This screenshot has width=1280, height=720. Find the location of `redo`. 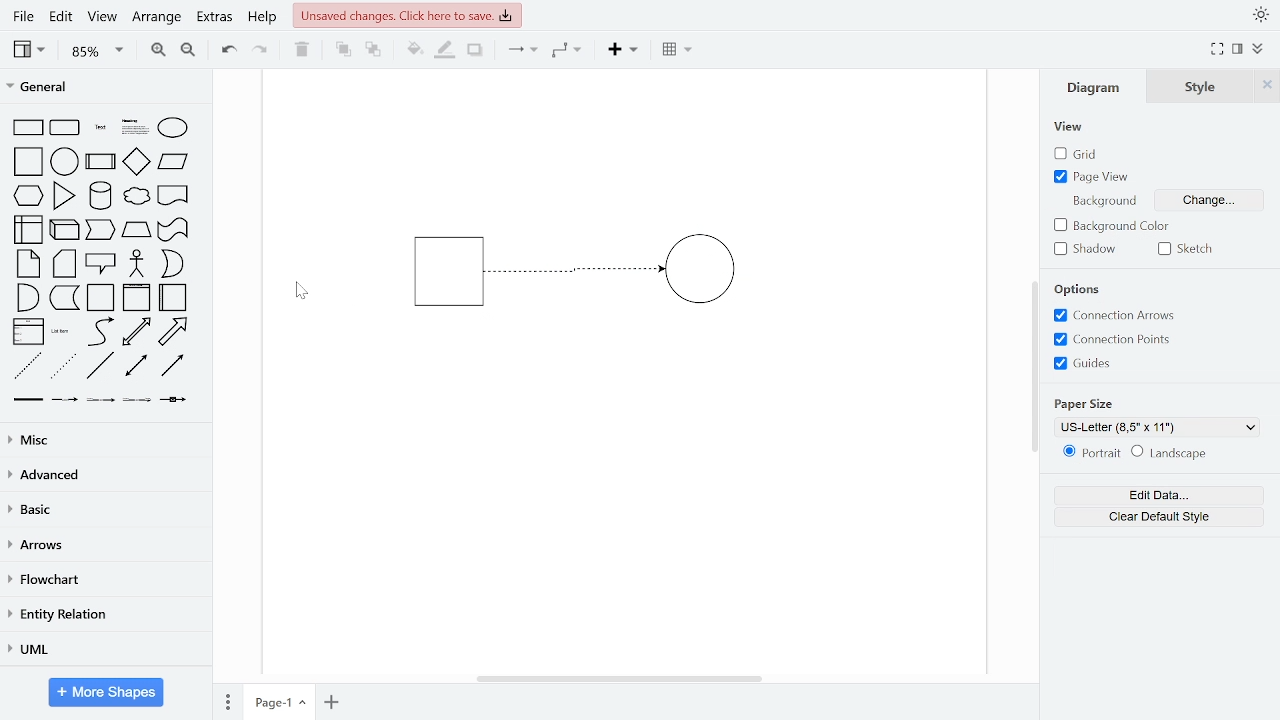

redo is located at coordinates (261, 49).